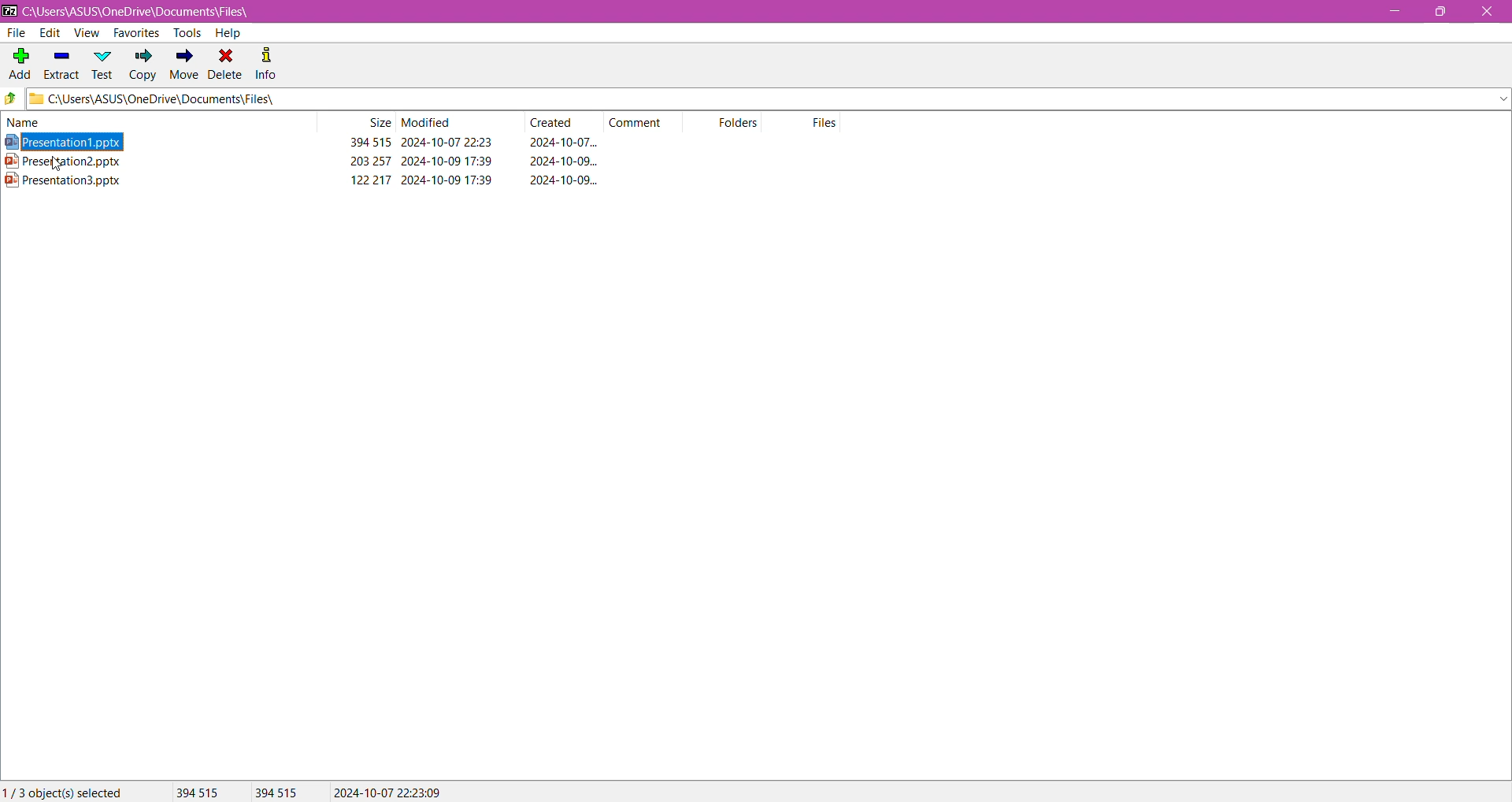  Describe the element at coordinates (745, 124) in the screenshot. I see `Folders` at that location.